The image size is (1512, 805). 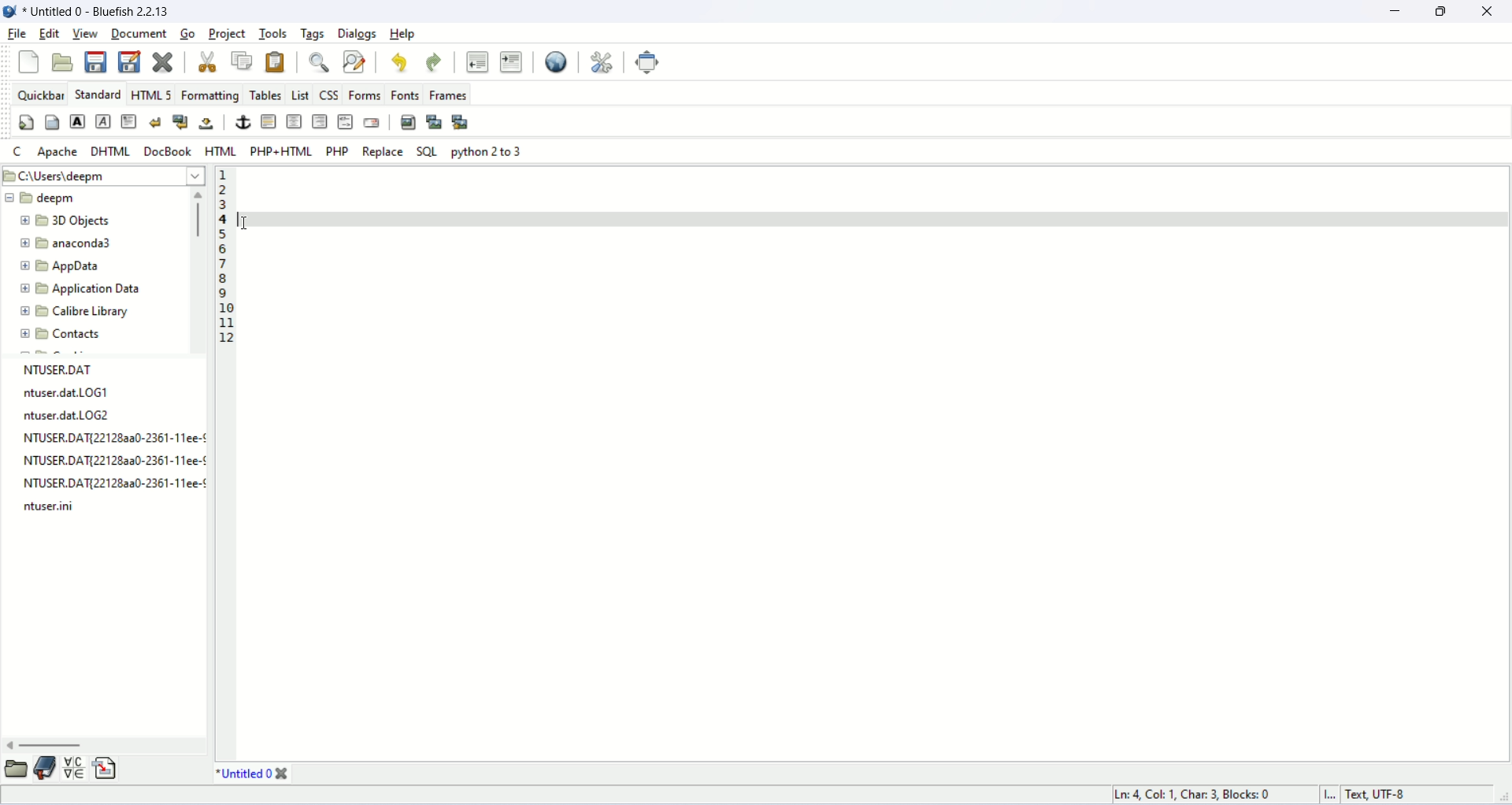 What do you see at coordinates (363, 95) in the screenshot?
I see `forms` at bounding box center [363, 95].